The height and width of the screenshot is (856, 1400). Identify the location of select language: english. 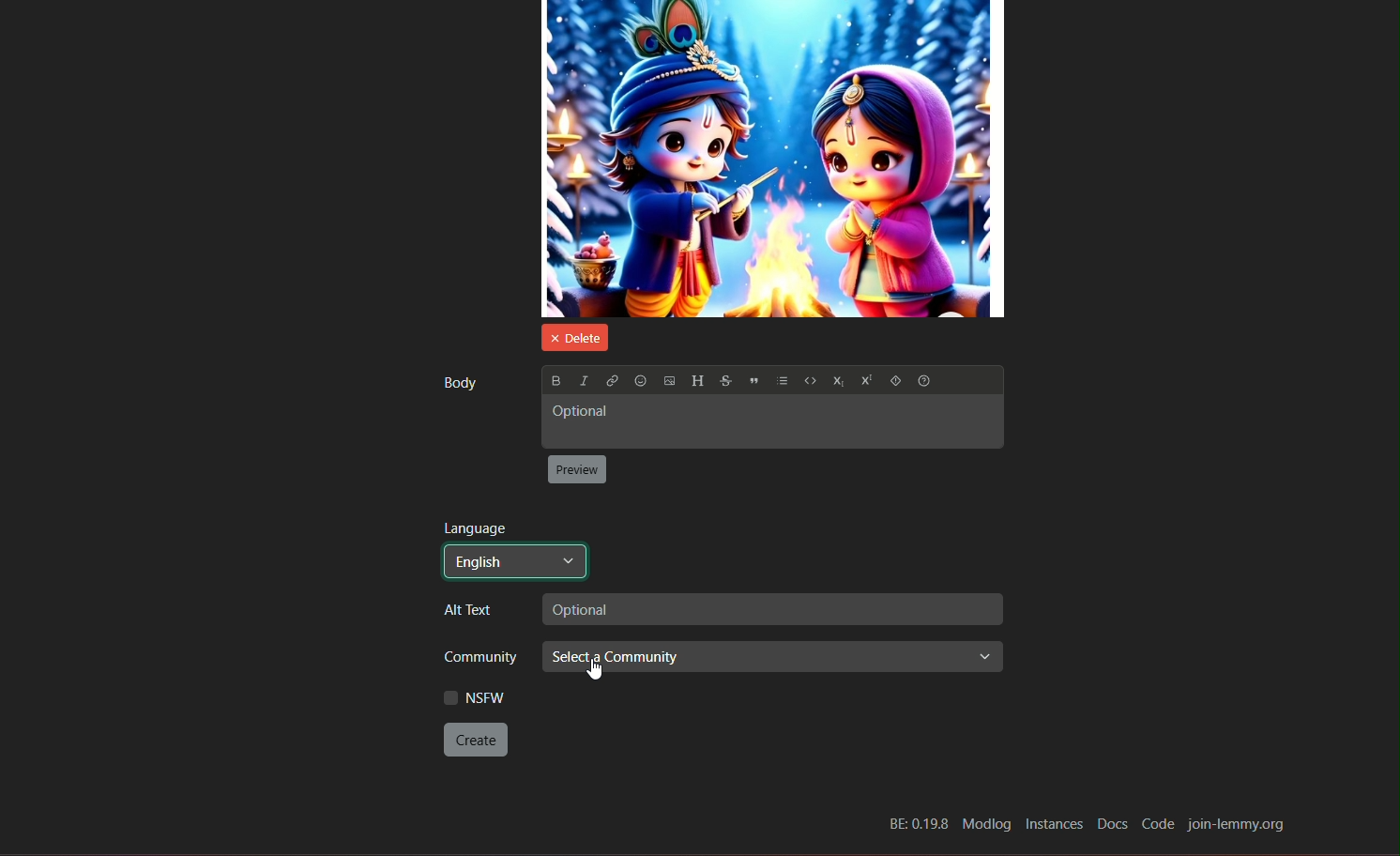
(514, 561).